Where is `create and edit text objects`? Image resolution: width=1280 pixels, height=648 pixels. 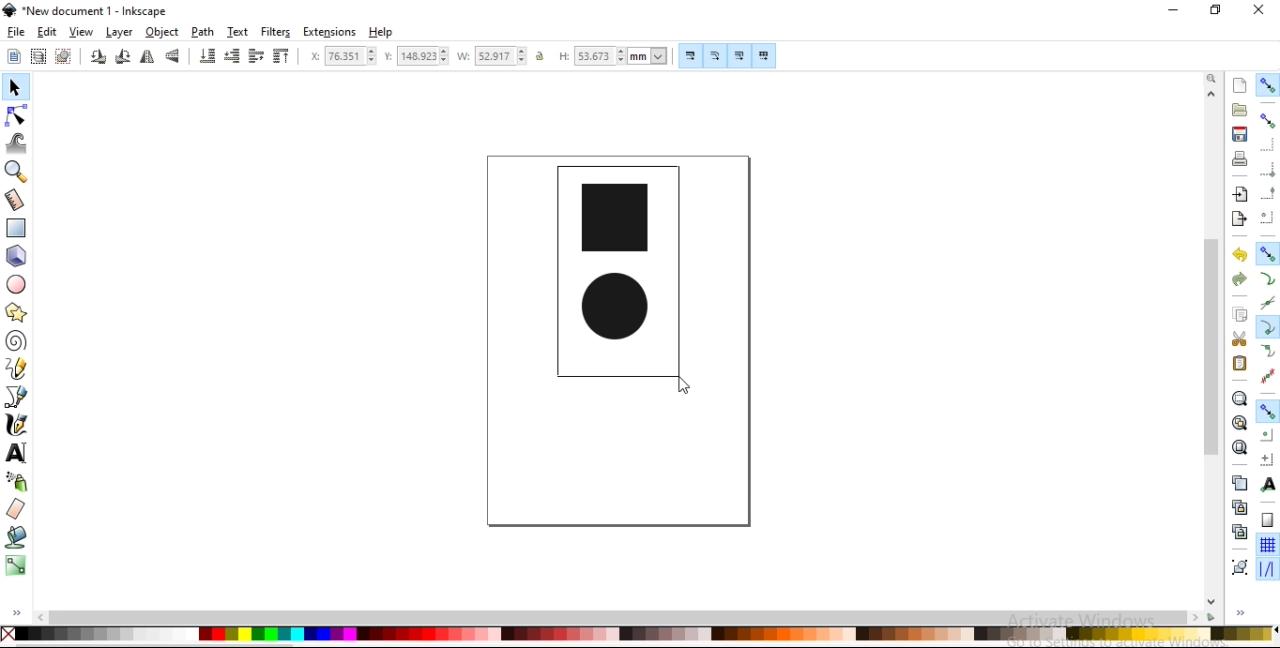
create and edit text objects is located at coordinates (16, 452).